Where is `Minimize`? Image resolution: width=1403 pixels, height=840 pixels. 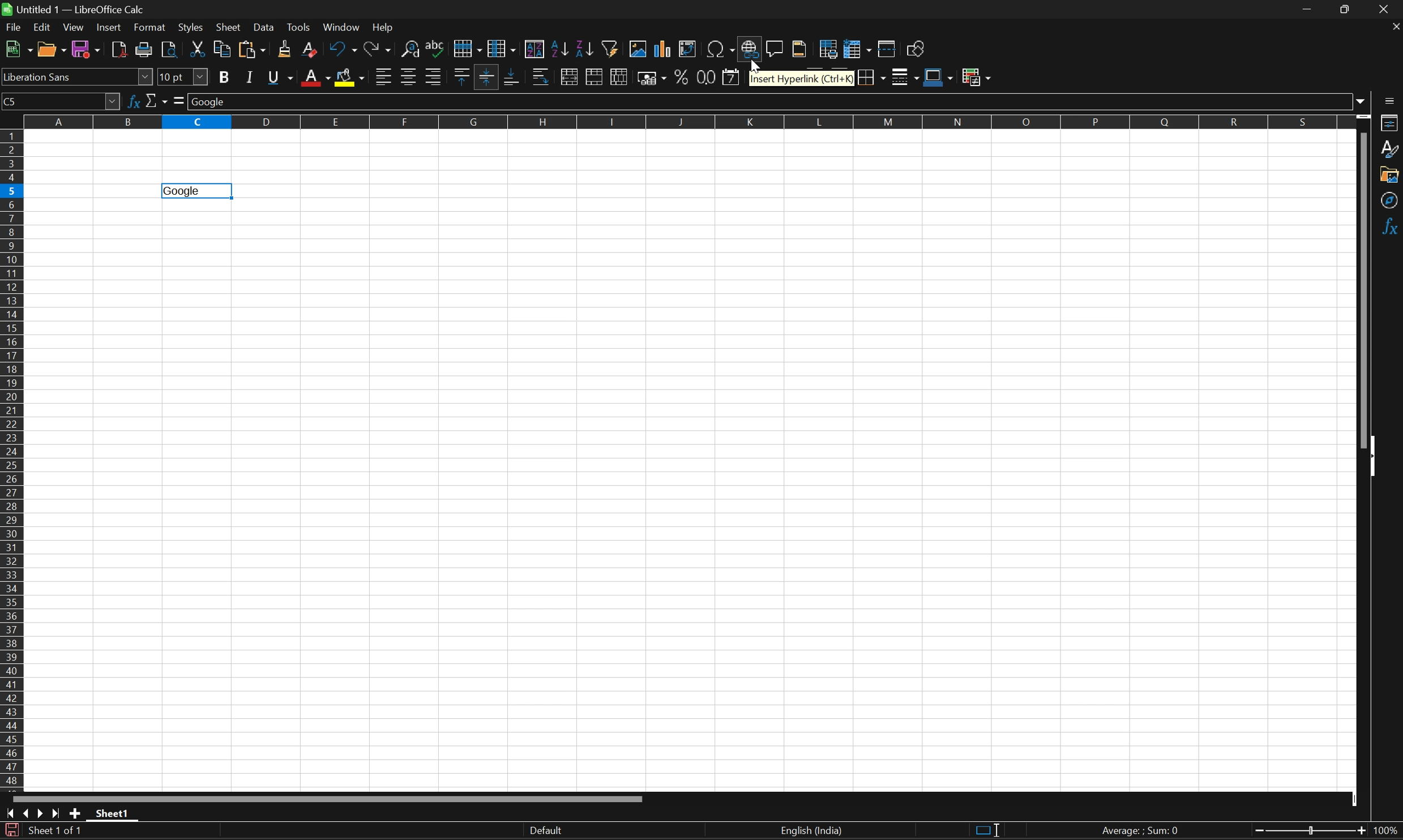
Minimize is located at coordinates (1308, 10).